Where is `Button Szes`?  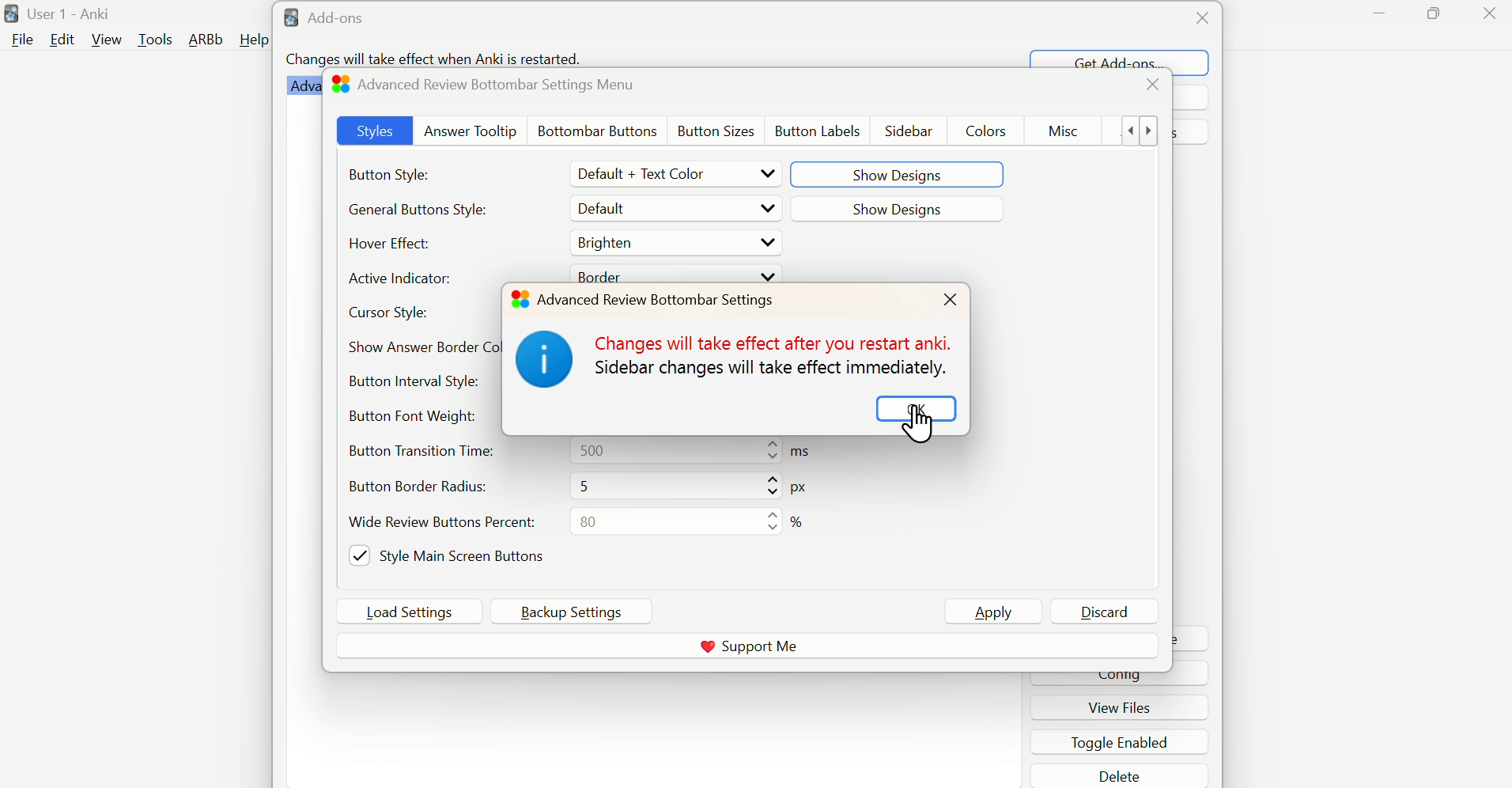 Button Szes is located at coordinates (714, 132).